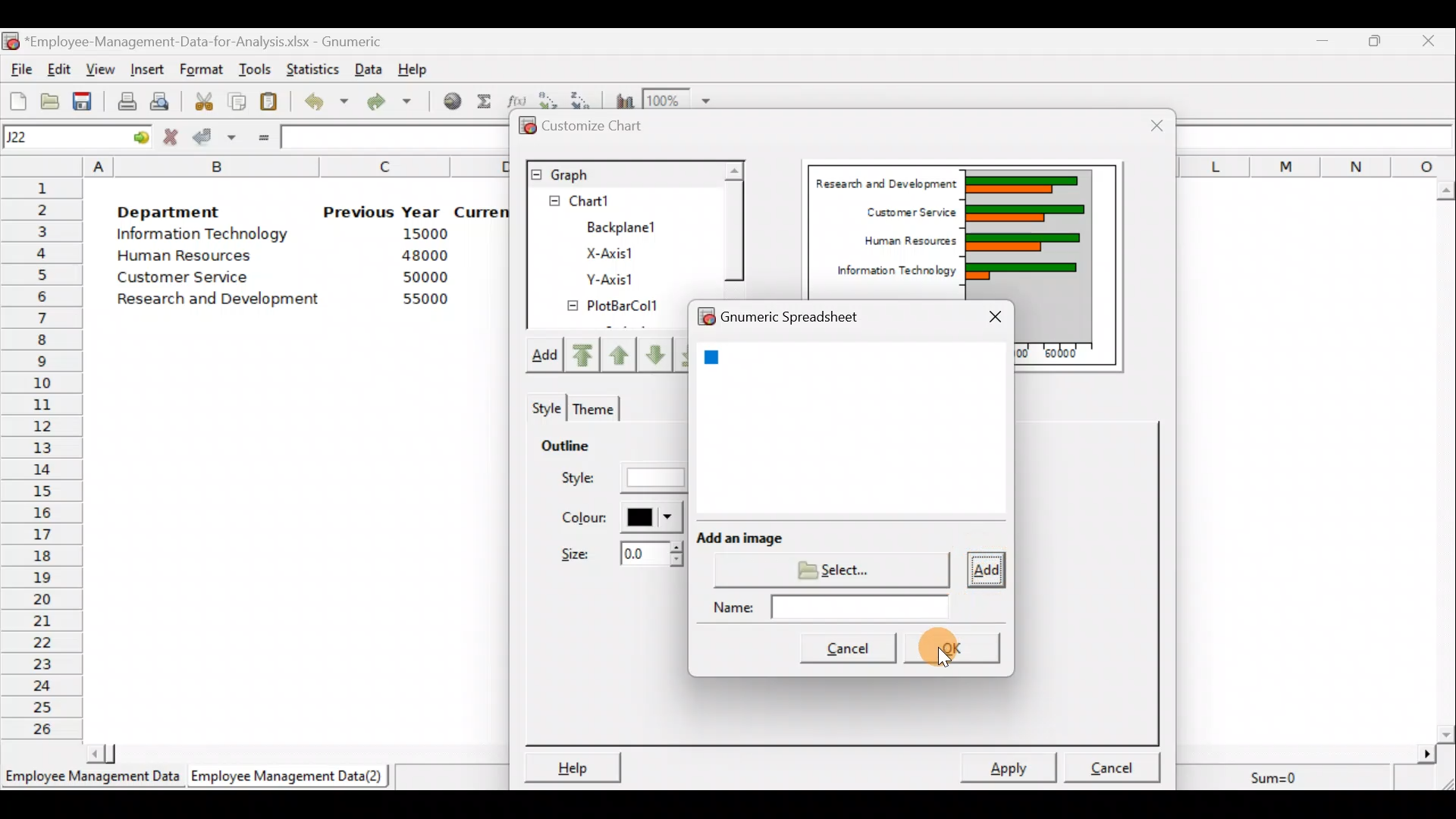 The height and width of the screenshot is (819, 1456). Describe the element at coordinates (620, 251) in the screenshot. I see `X-axis1` at that location.